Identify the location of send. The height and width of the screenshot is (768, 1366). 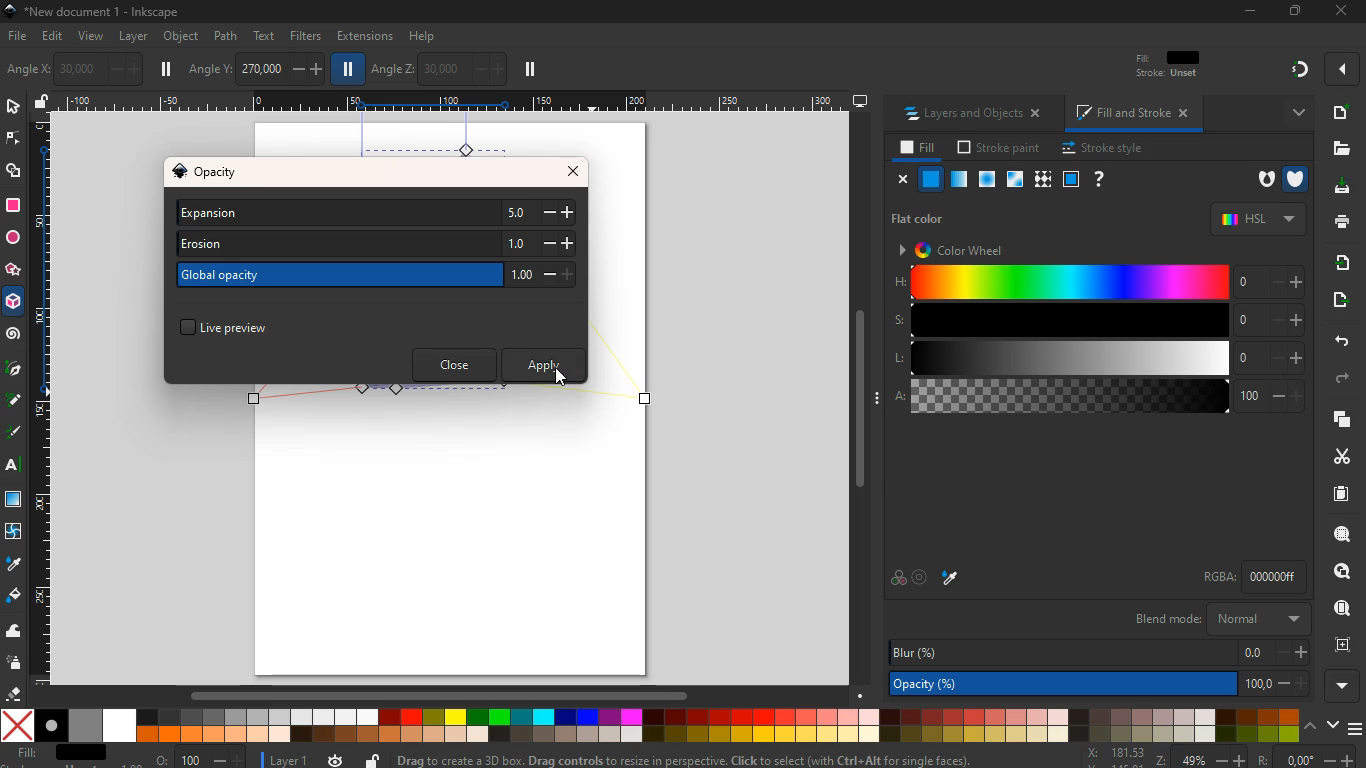
(1335, 300).